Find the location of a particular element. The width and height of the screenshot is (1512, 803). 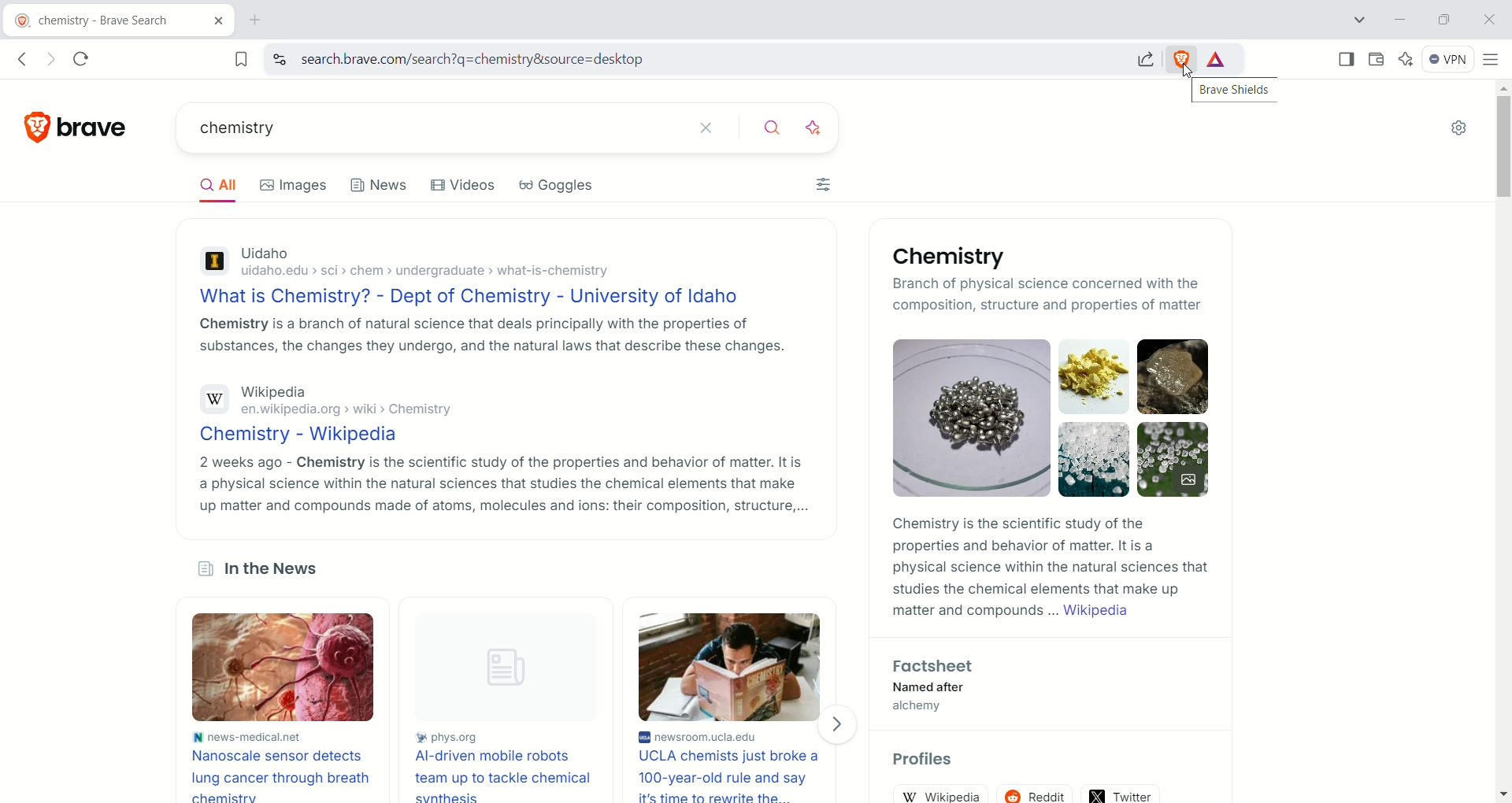

All is located at coordinates (216, 185).